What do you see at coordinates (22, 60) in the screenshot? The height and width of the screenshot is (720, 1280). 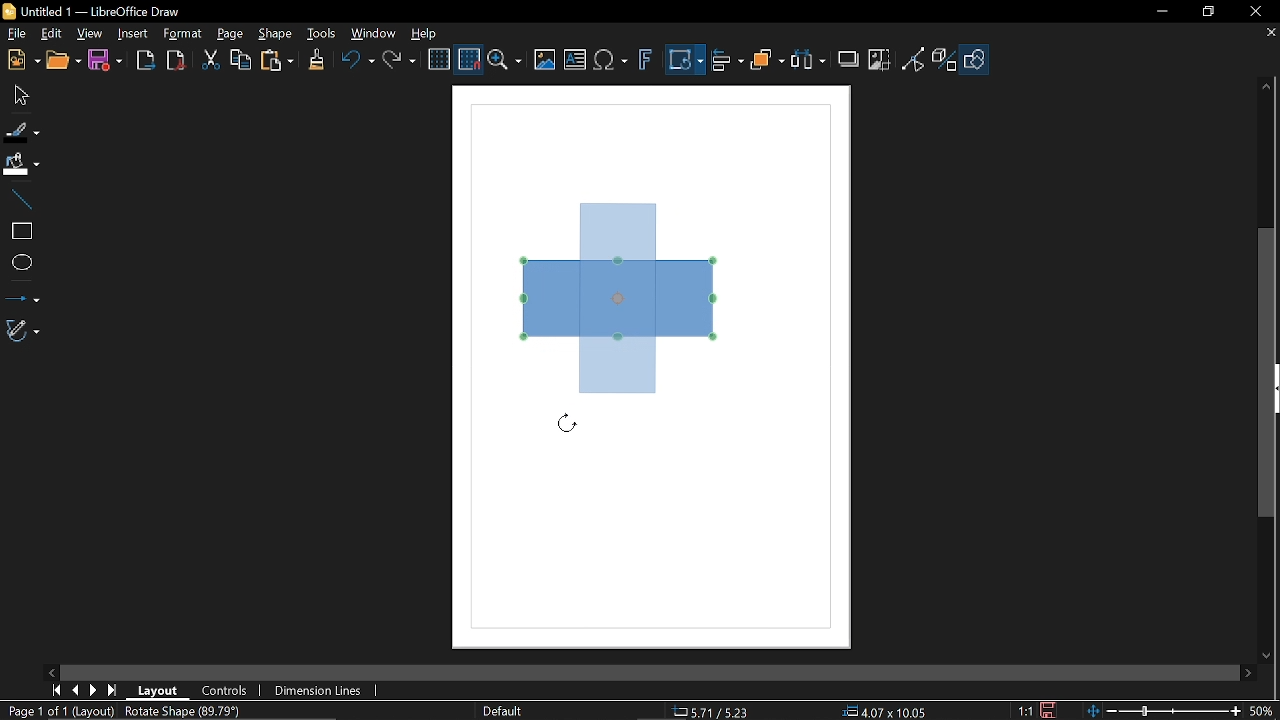 I see `New` at bounding box center [22, 60].